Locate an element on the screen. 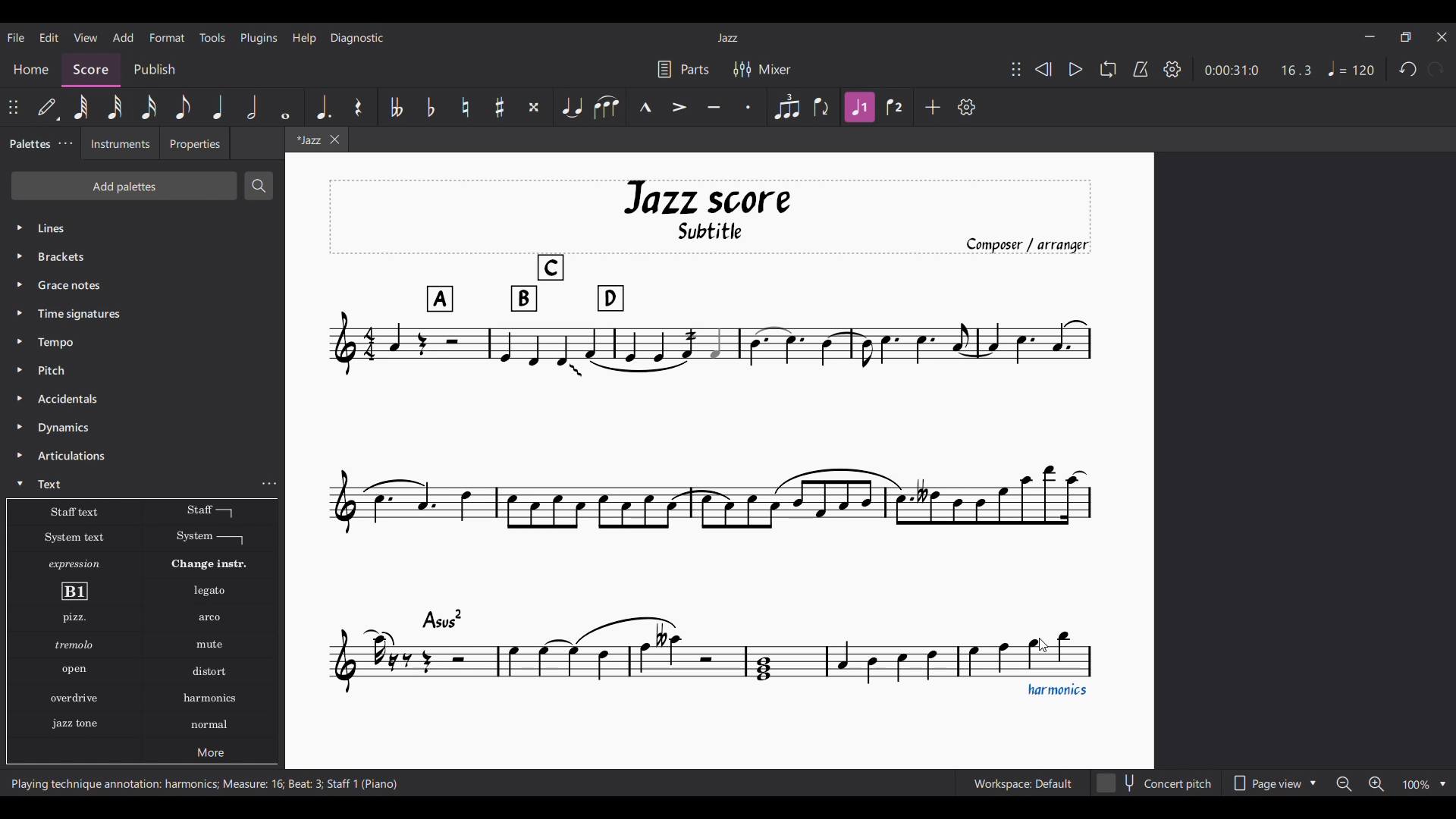  Legato is located at coordinates (212, 591).